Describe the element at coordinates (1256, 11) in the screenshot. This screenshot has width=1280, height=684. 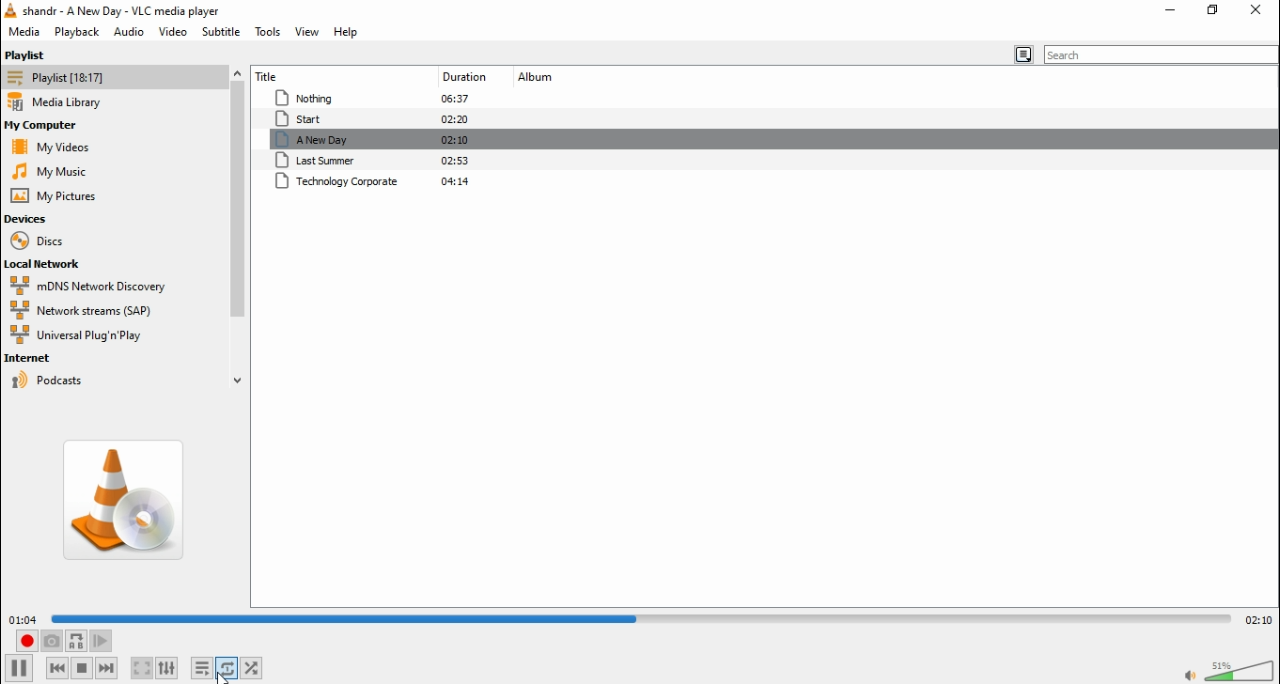
I see `close window` at that location.